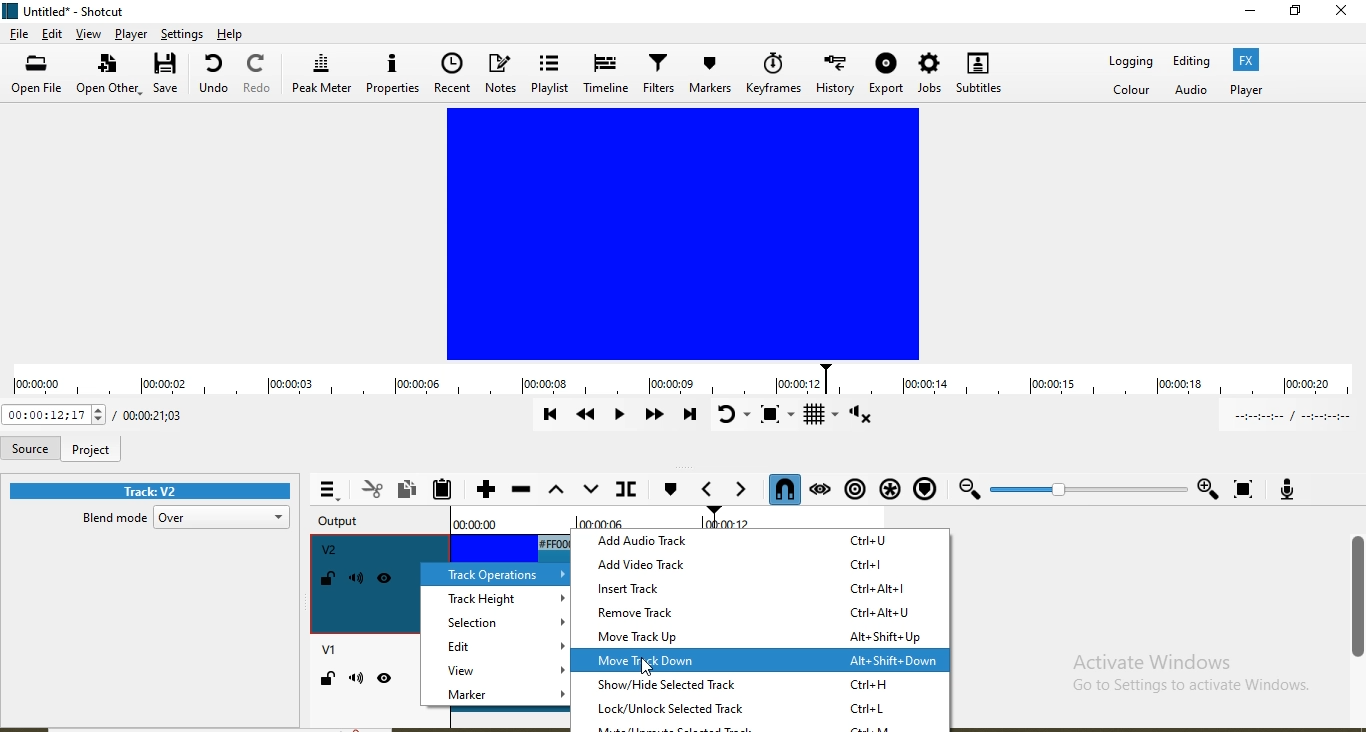  Describe the element at coordinates (653, 414) in the screenshot. I see `Play quickly forward` at that location.